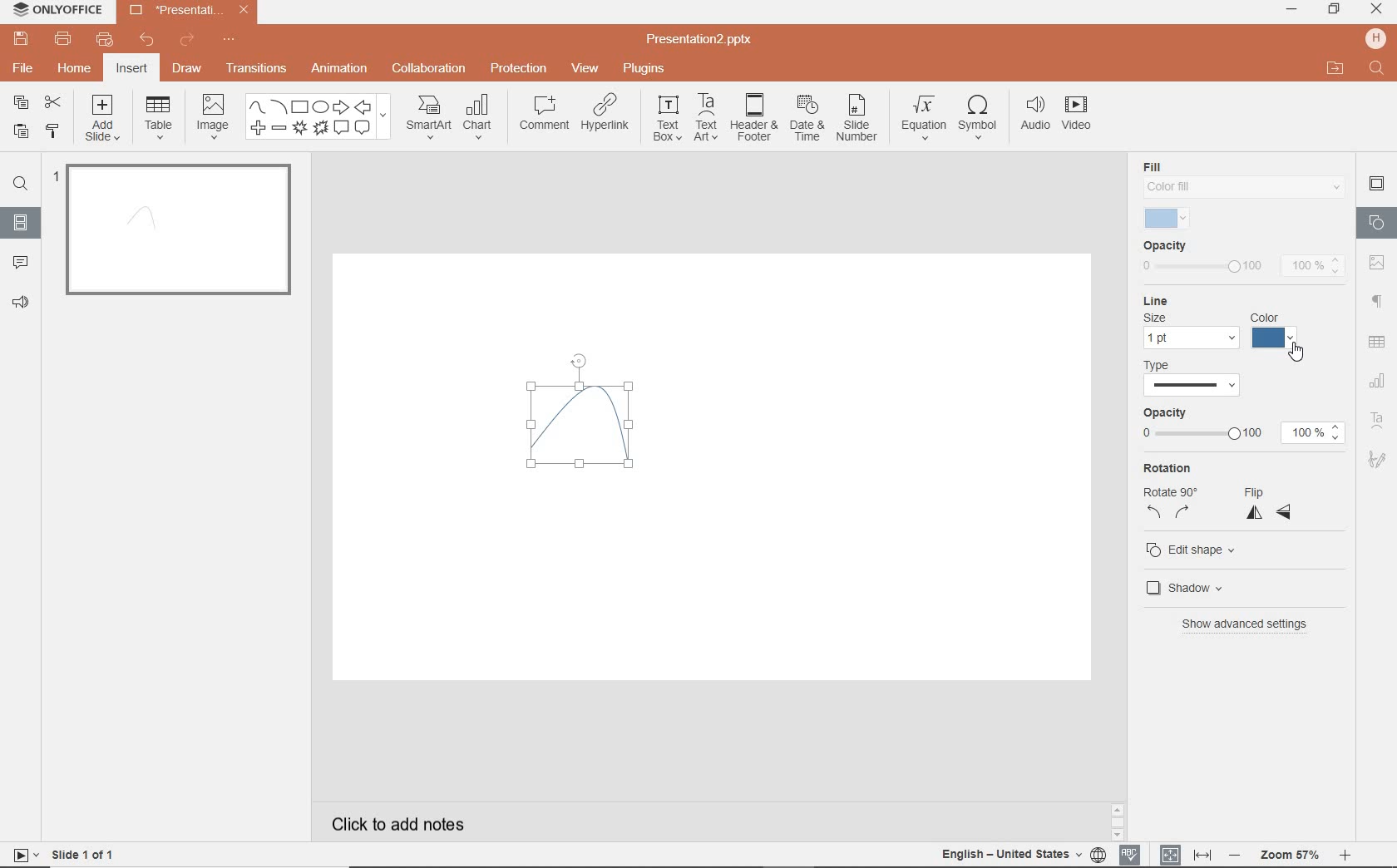 This screenshot has width=1397, height=868. What do you see at coordinates (403, 824) in the screenshot?
I see `CLICK TO ADD NOTES` at bounding box center [403, 824].